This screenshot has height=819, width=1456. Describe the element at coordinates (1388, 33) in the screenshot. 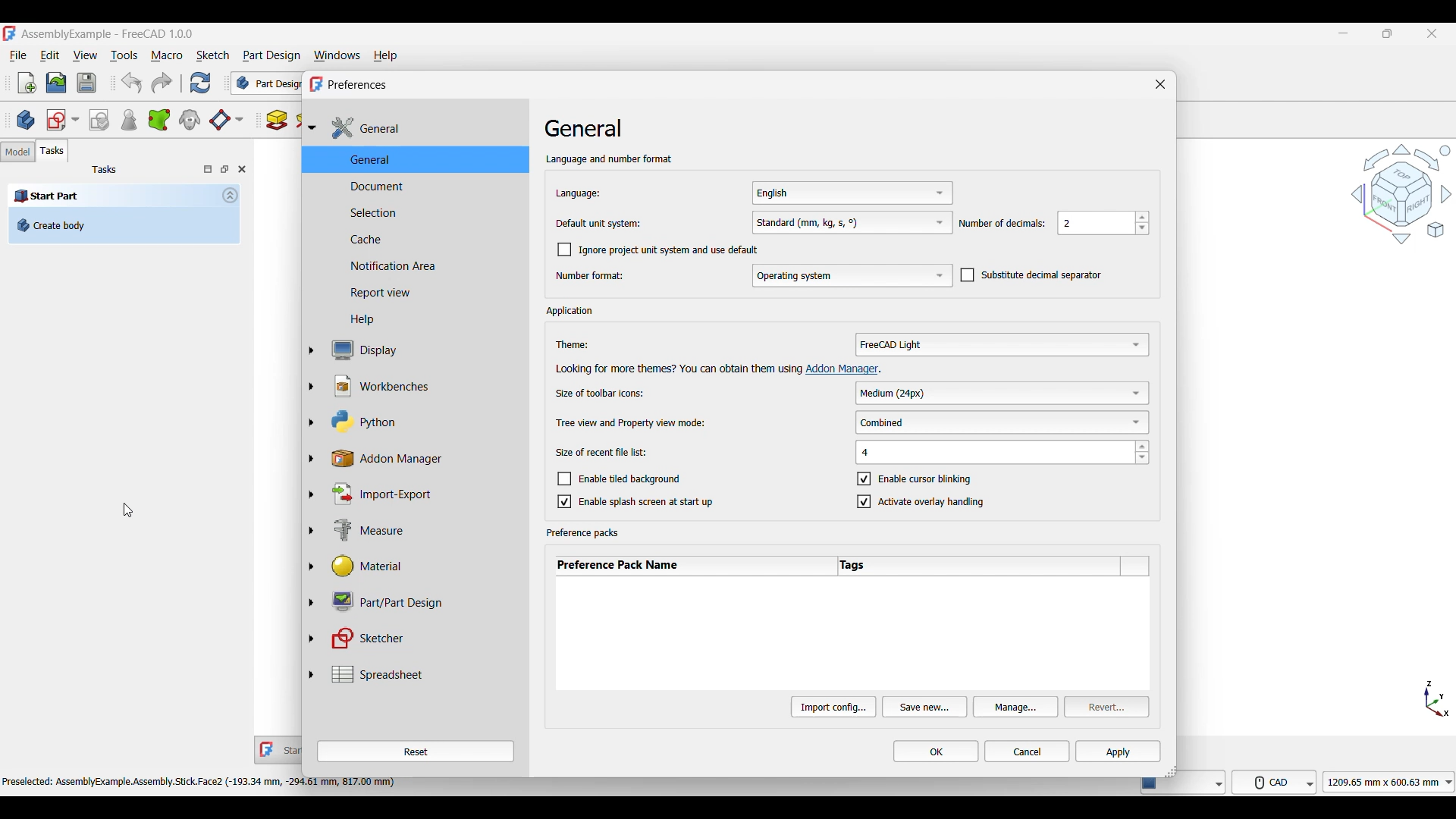

I see `Show in smaller tab` at that location.